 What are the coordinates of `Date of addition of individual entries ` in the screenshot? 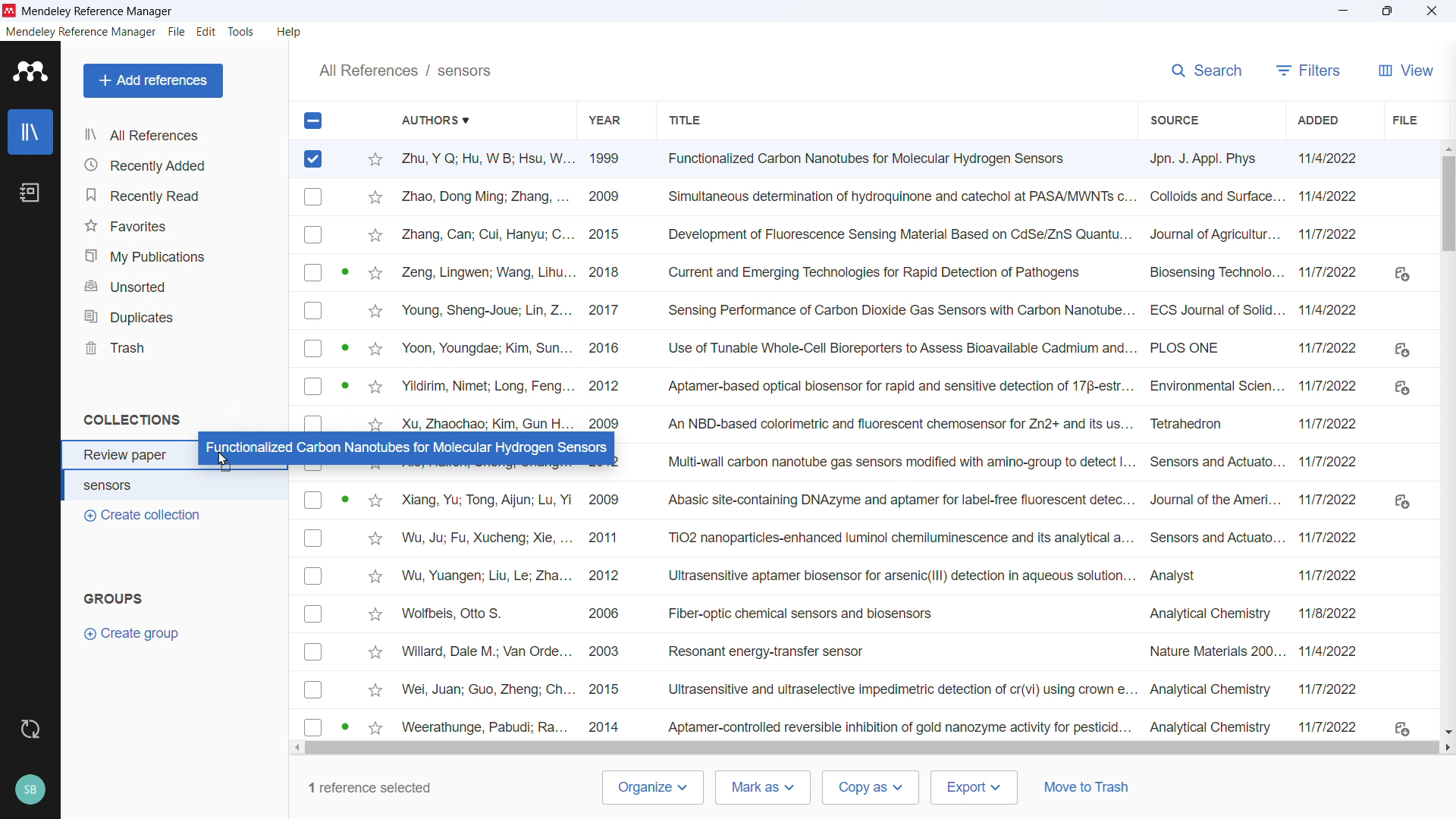 It's located at (1331, 441).